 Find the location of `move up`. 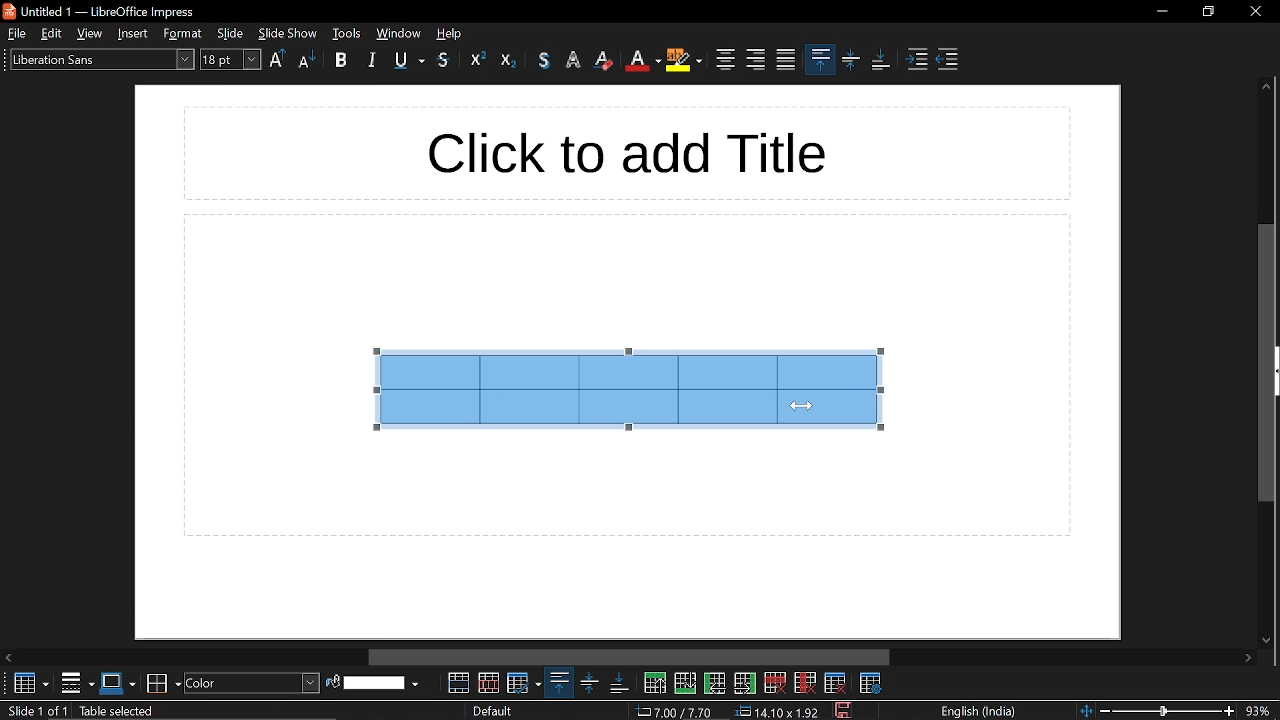

move up is located at coordinates (1266, 86).